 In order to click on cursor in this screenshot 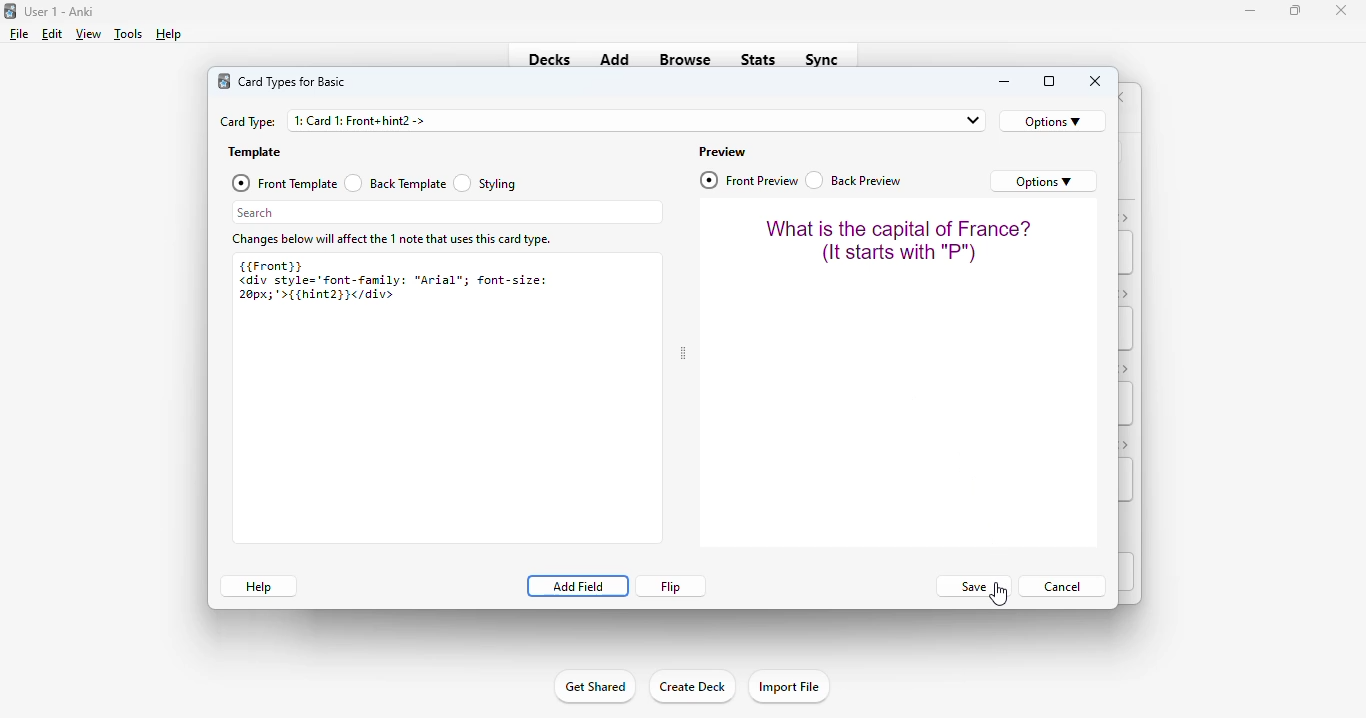, I will do `click(998, 594)`.